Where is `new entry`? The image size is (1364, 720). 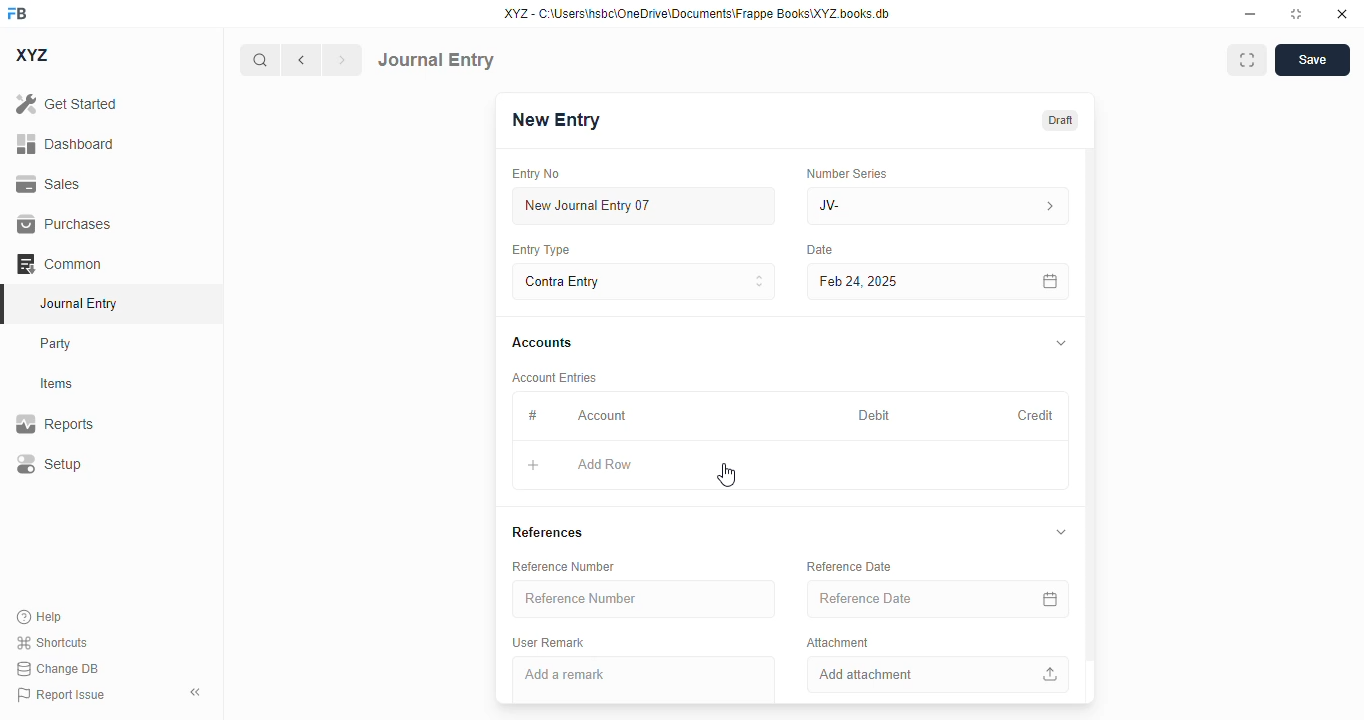 new entry is located at coordinates (557, 119).